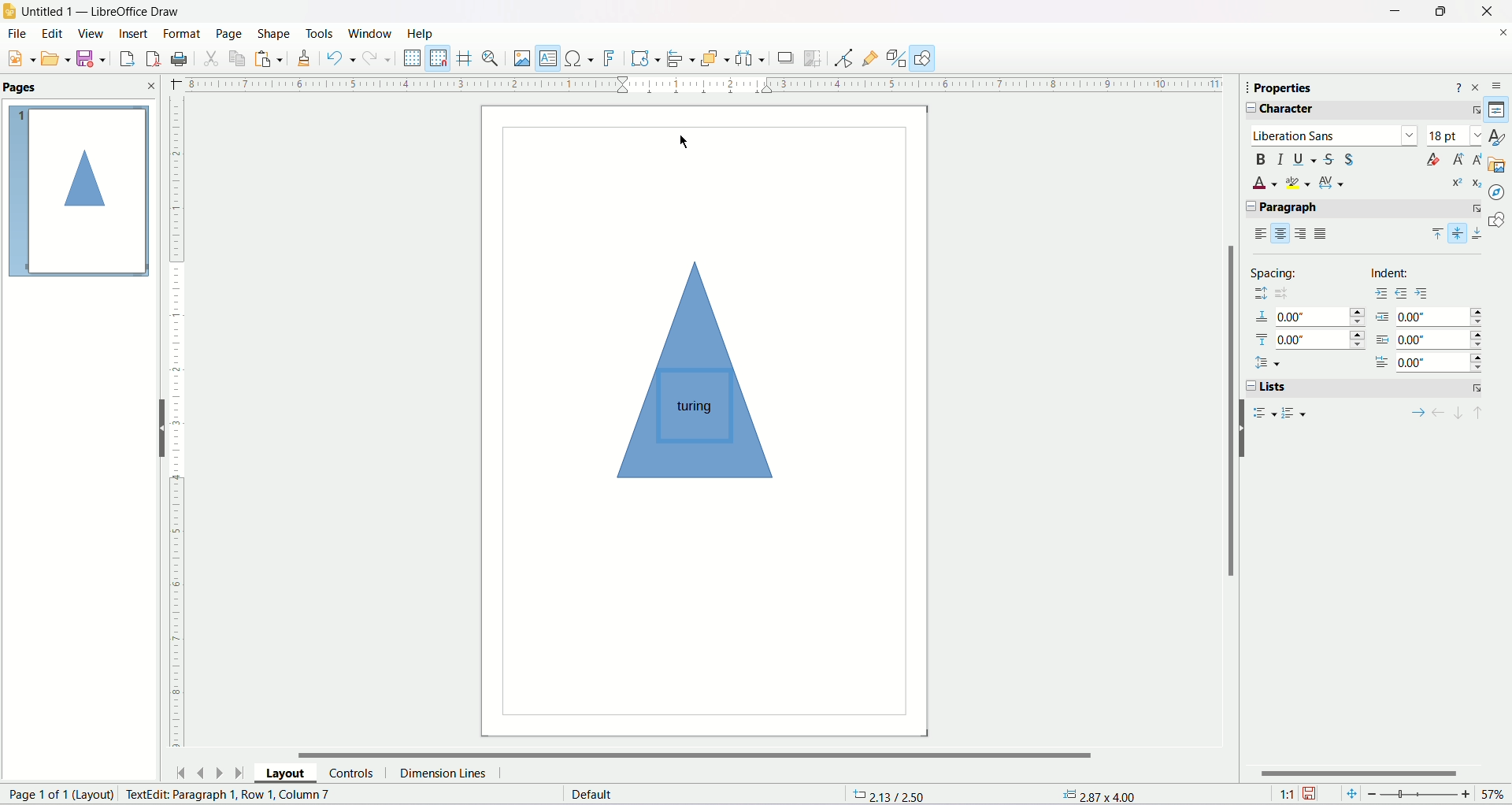  I want to click on Move to last page, so click(243, 771).